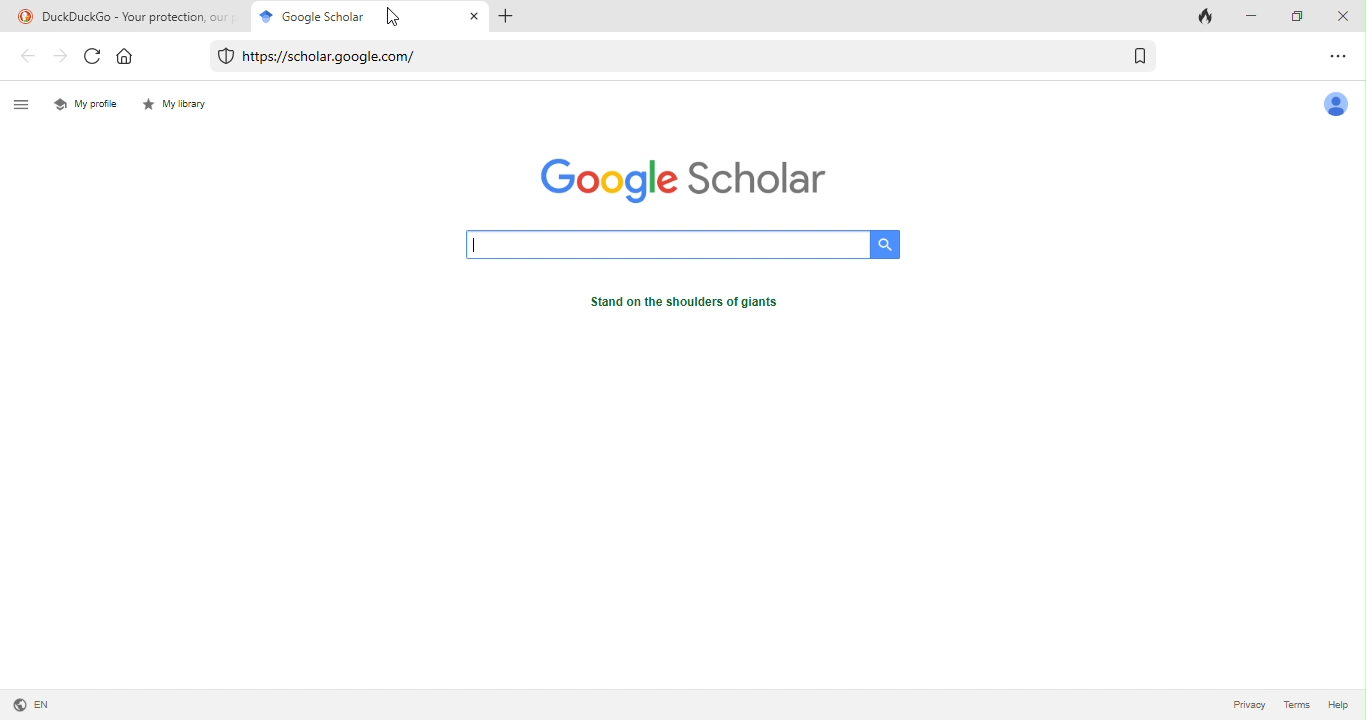 The width and height of the screenshot is (1366, 720). What do you see at coordinates (24, 56) in the screenshot?
I see `back` at bounding box center [24, 56].